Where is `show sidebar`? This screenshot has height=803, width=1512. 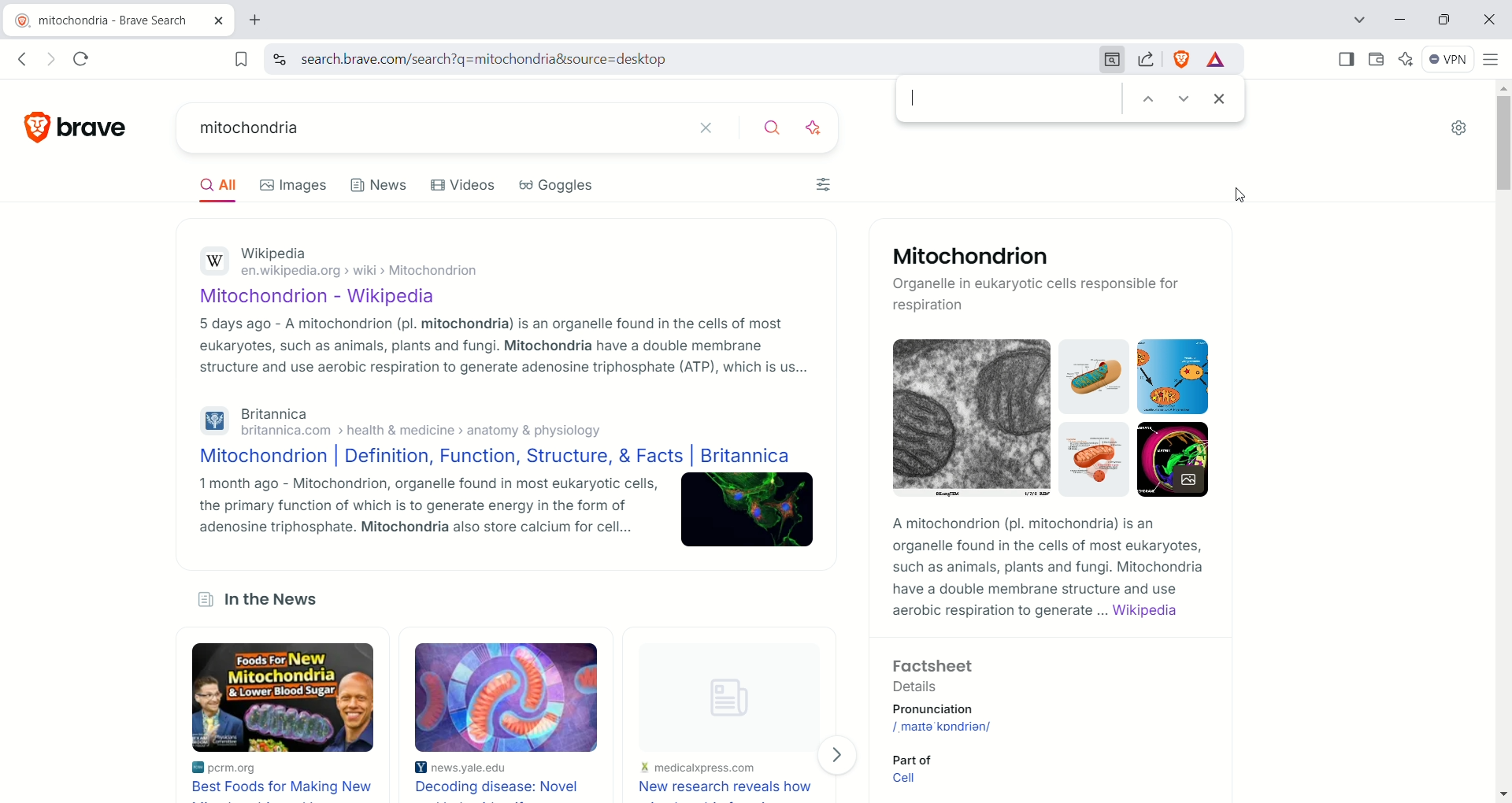
show sidebar is located at coordinates (1338, 60).